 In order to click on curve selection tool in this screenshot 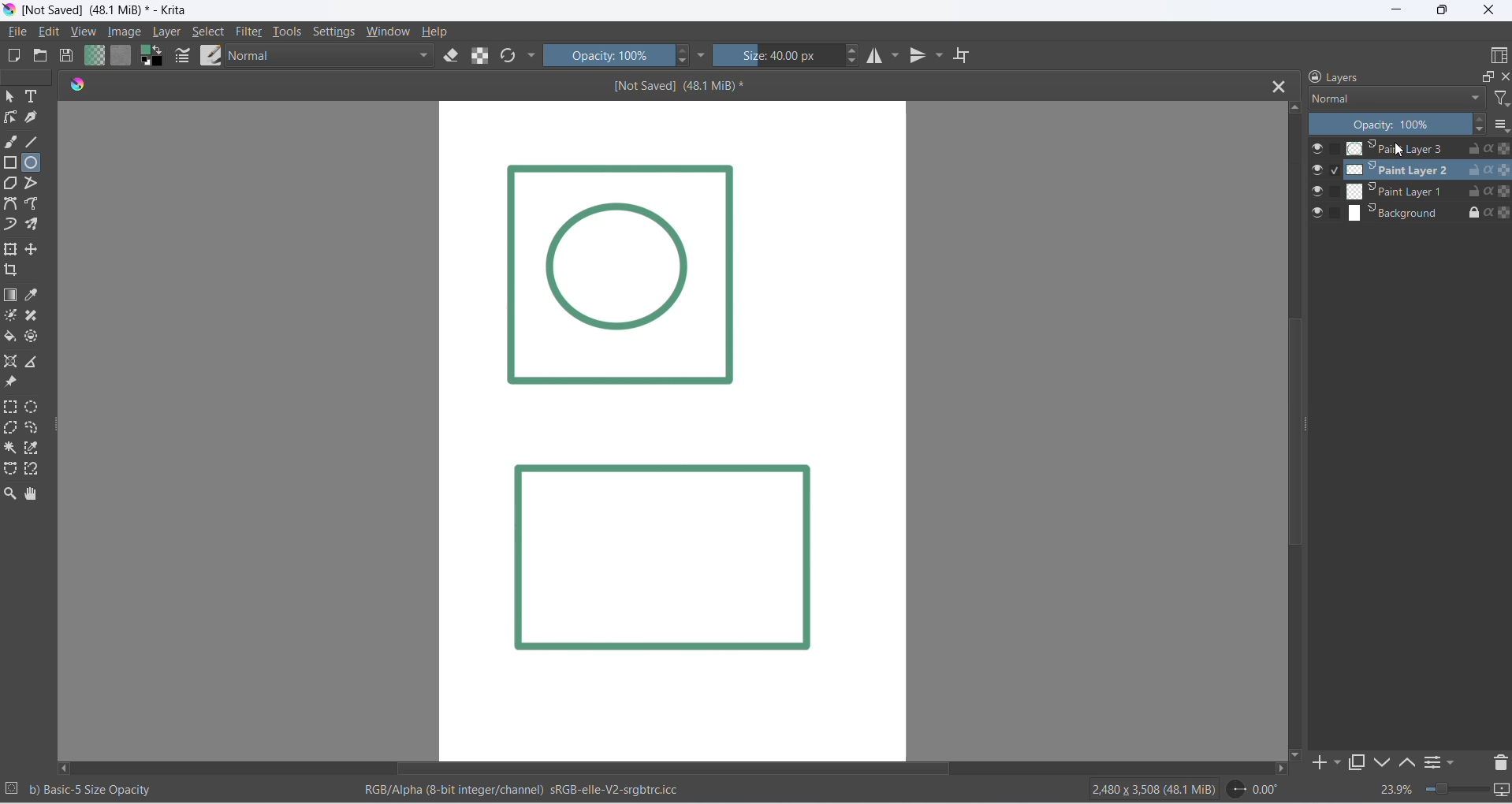, I will do `click(10, 470)`.